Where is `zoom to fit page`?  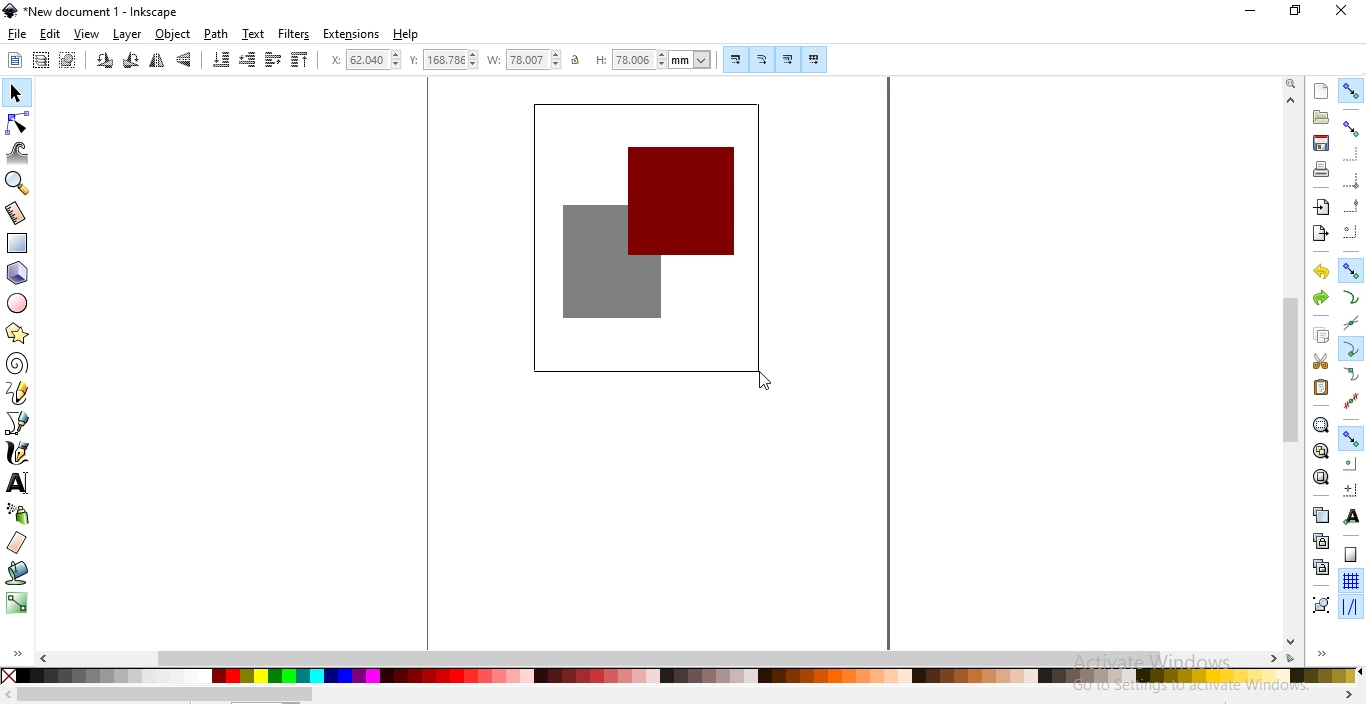 zoom to fit page is located at coordinates (1321, 477).